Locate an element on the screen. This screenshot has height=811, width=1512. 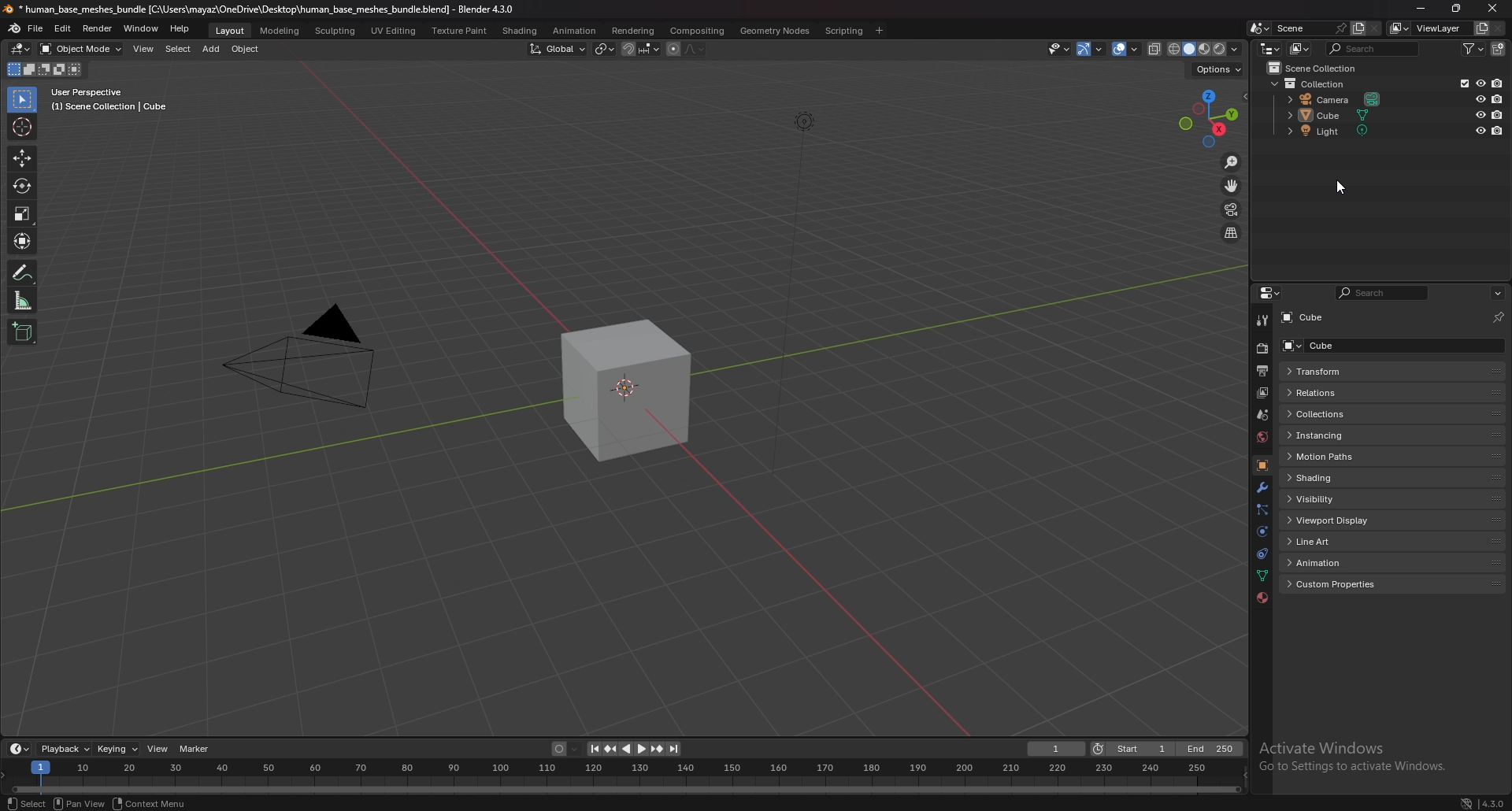
keying is located at coordinates (120, 749).